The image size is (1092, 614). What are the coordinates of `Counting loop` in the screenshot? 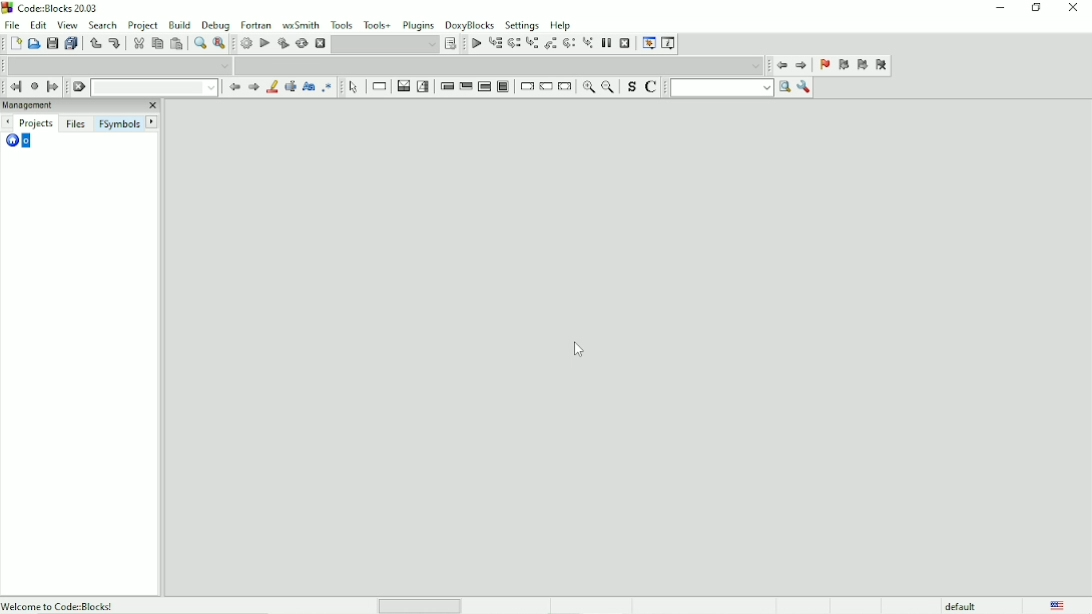 It's located at (484, 87).